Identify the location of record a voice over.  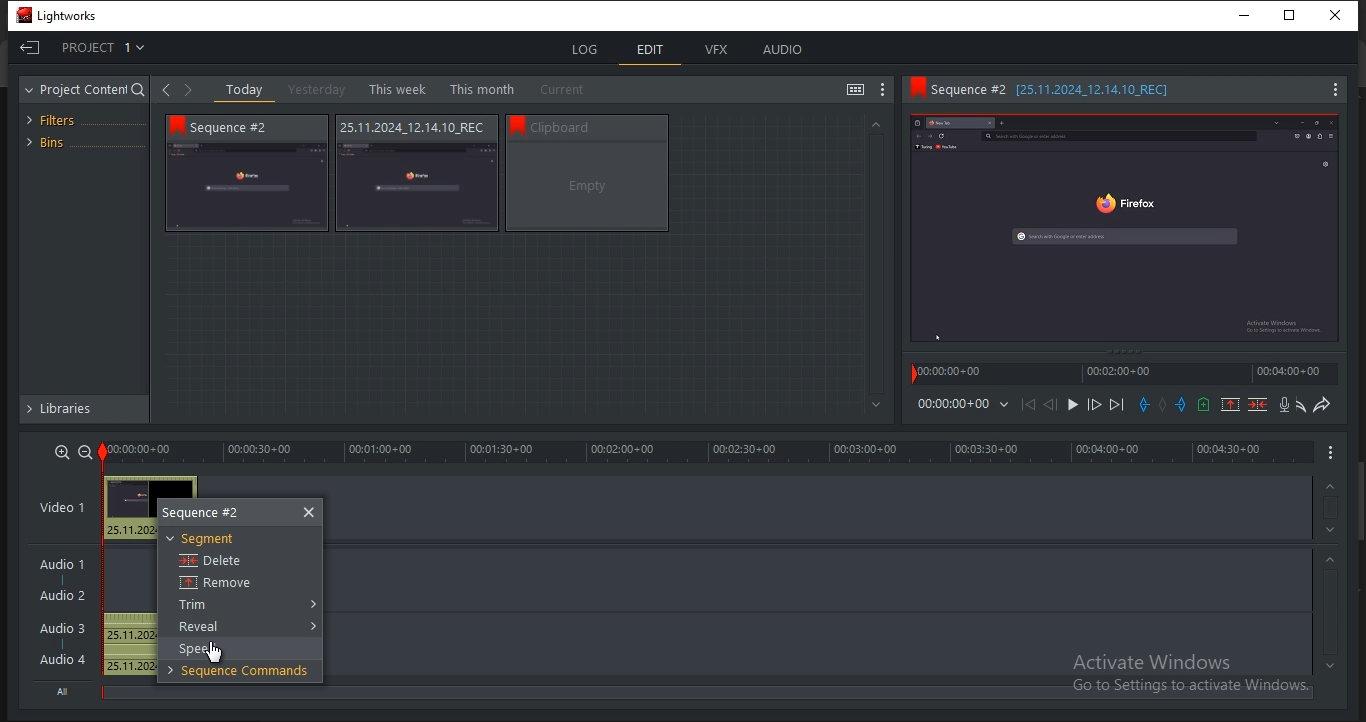
(1281, 404).